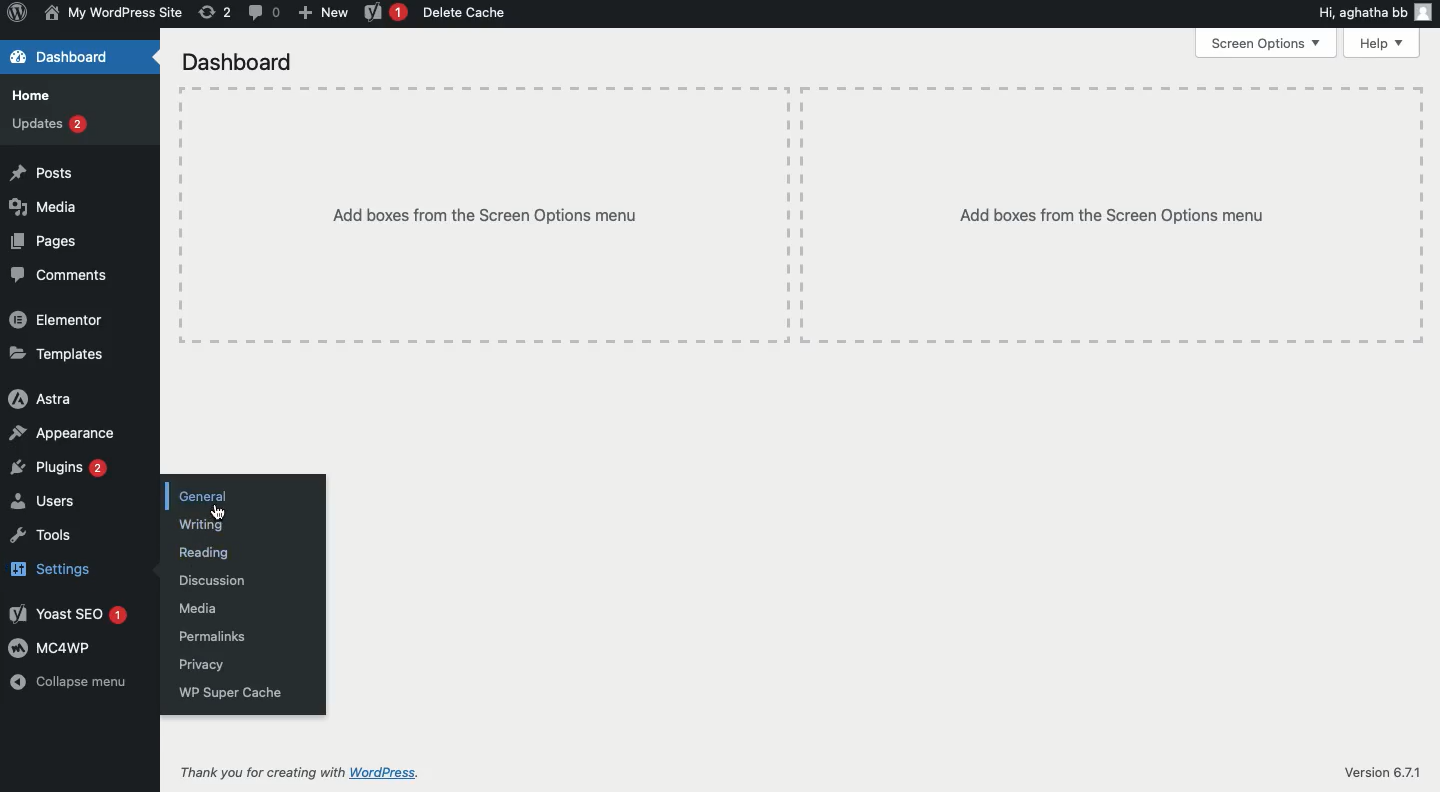 The width and height of the screenshot is (1440, 792). Describe the element at coordinates (1264, 45) in the screenshot. I see `Screen options` at that location.